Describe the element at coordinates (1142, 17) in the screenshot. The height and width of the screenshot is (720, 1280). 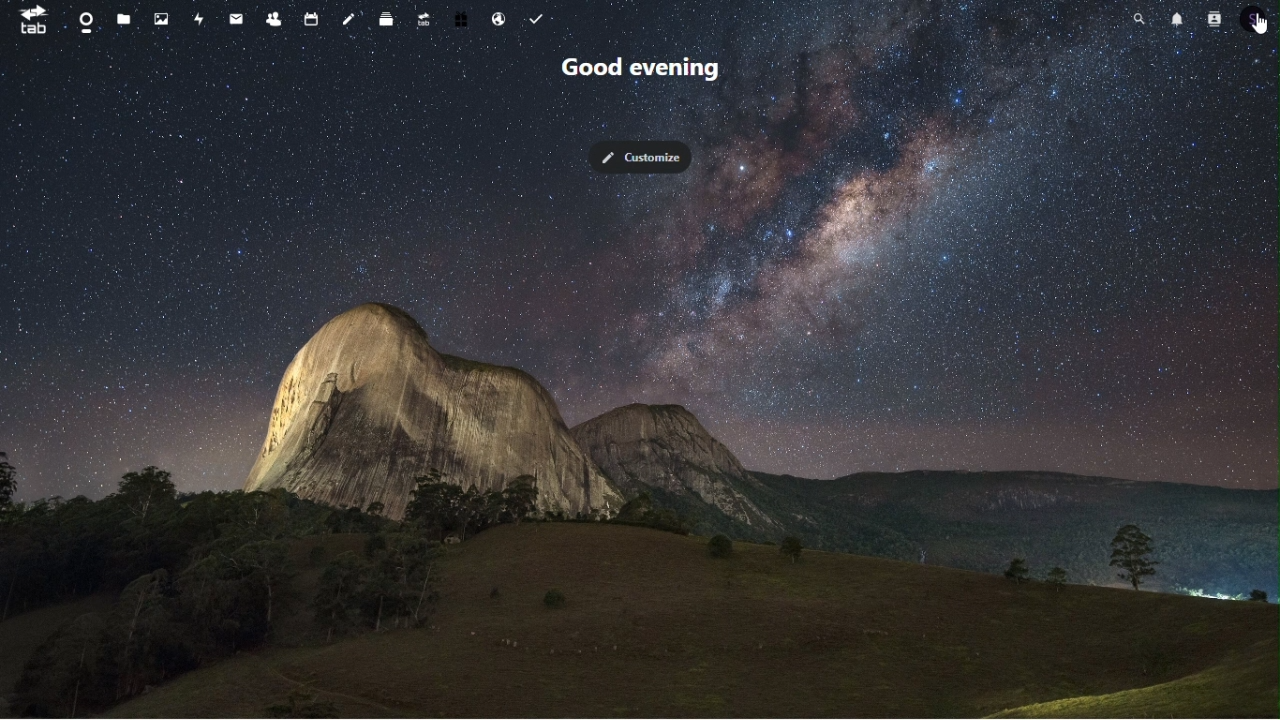
I see `search` at that location.